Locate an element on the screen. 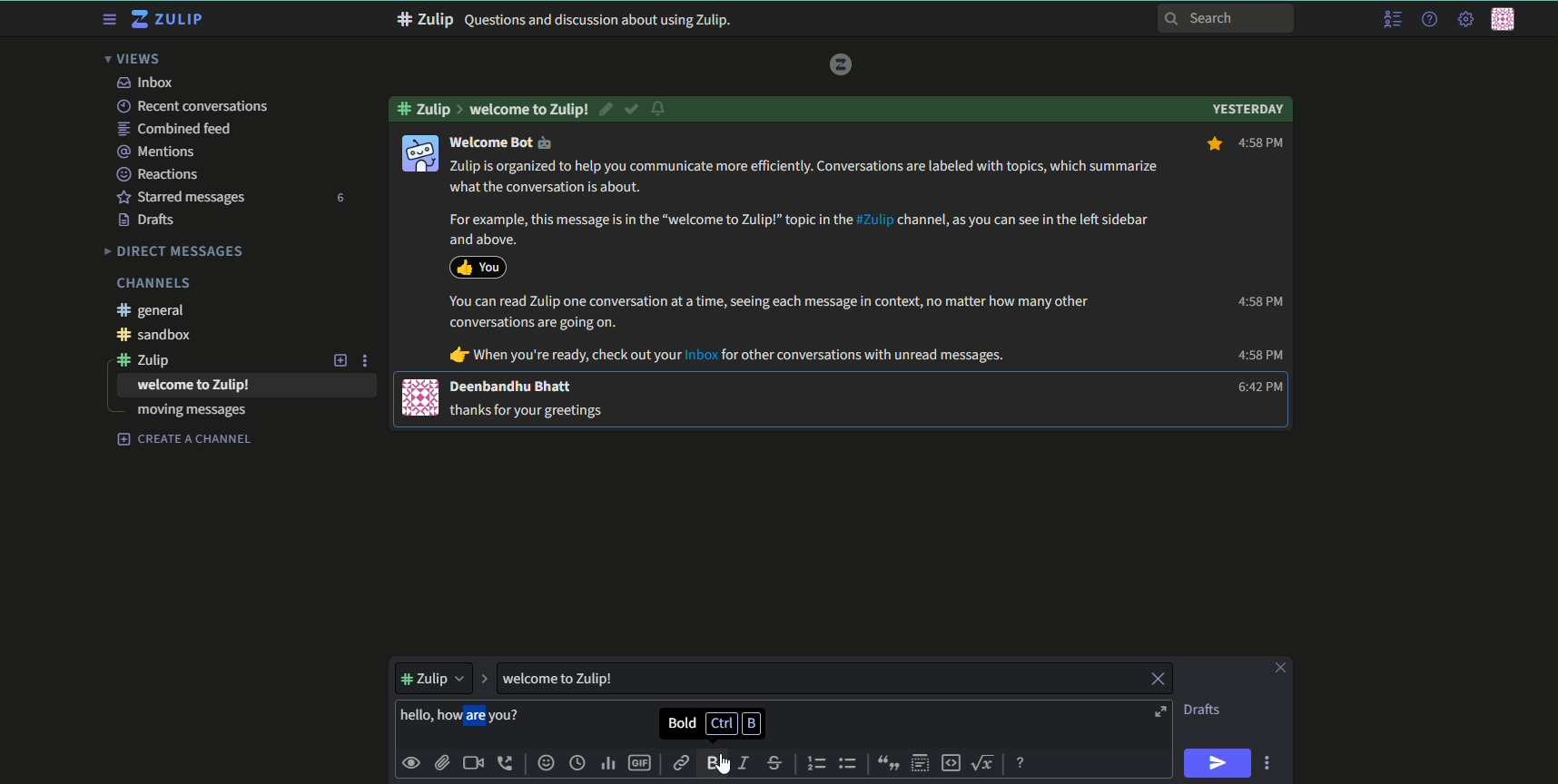 This screenshot has width=1558, height=784. Welcome Bot is located at coordinates (504, 142).